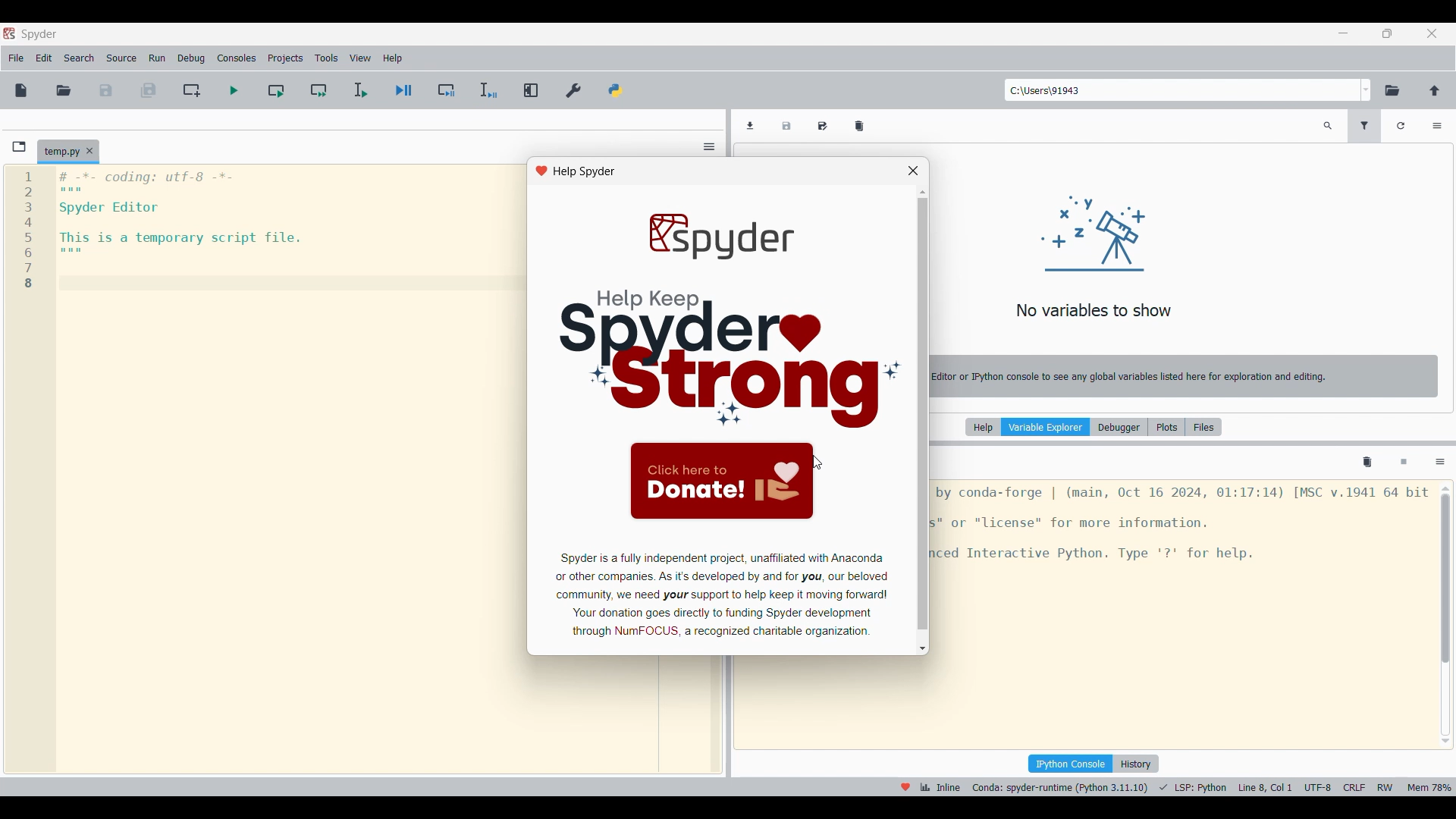 This screenshot has width=1456, height=819. I want to click on Maximize current pane, so click(531, 90).